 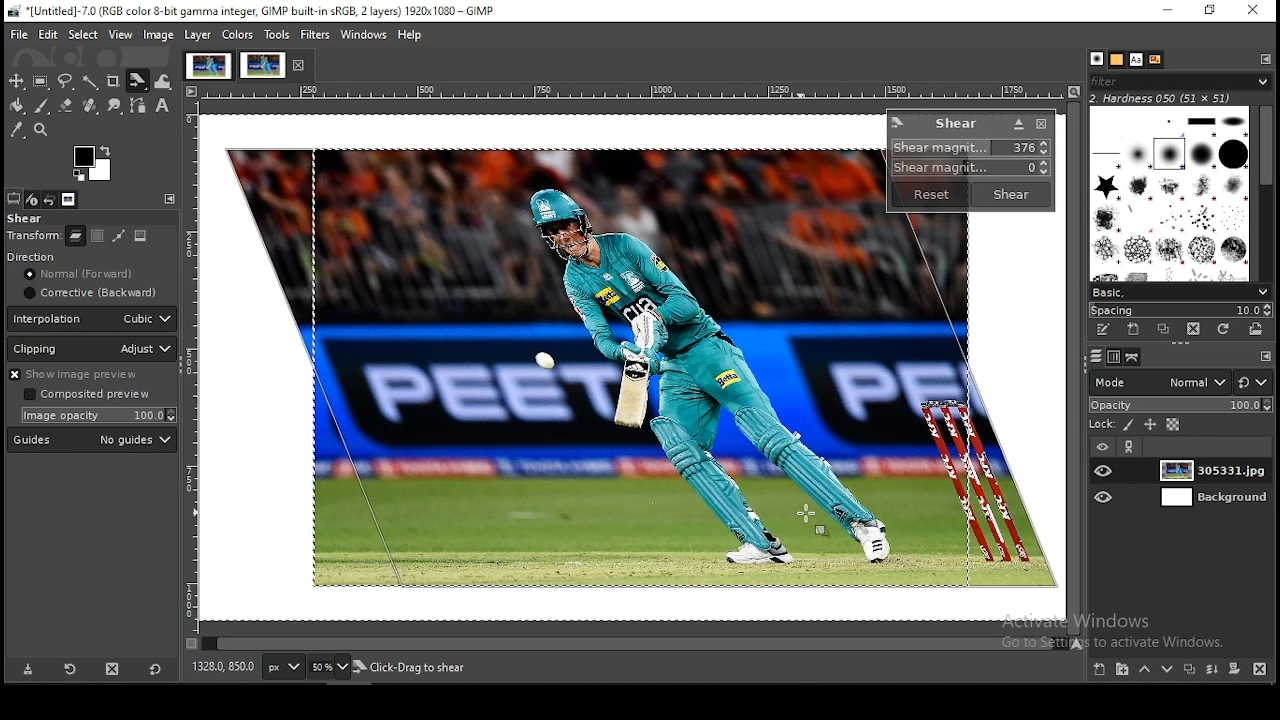 What do you see at coordinates (1211, 12) in the screenshot?
I see `restore` at bounding box center [1211, 12].